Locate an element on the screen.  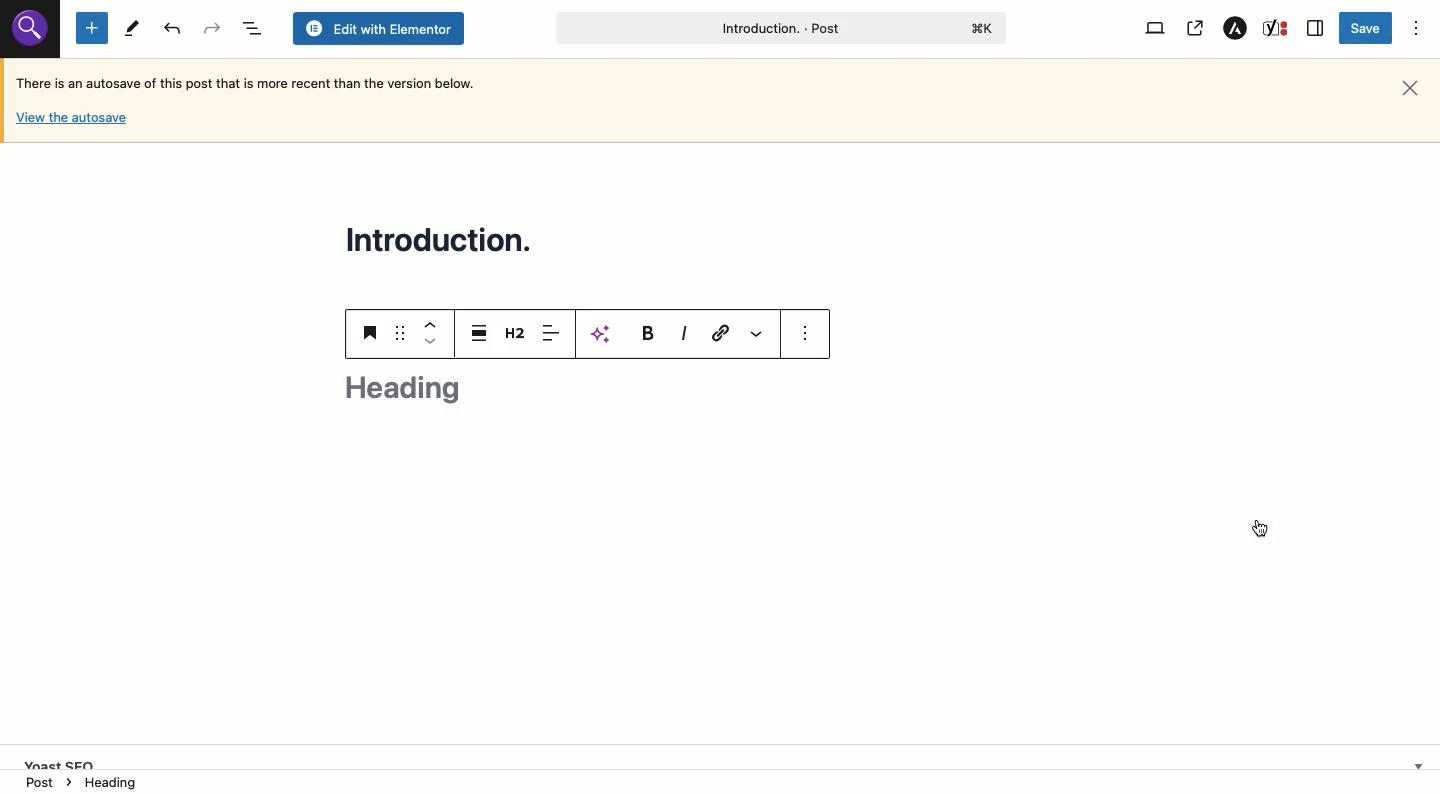
Bookmark is located at coordinates (372, 332).